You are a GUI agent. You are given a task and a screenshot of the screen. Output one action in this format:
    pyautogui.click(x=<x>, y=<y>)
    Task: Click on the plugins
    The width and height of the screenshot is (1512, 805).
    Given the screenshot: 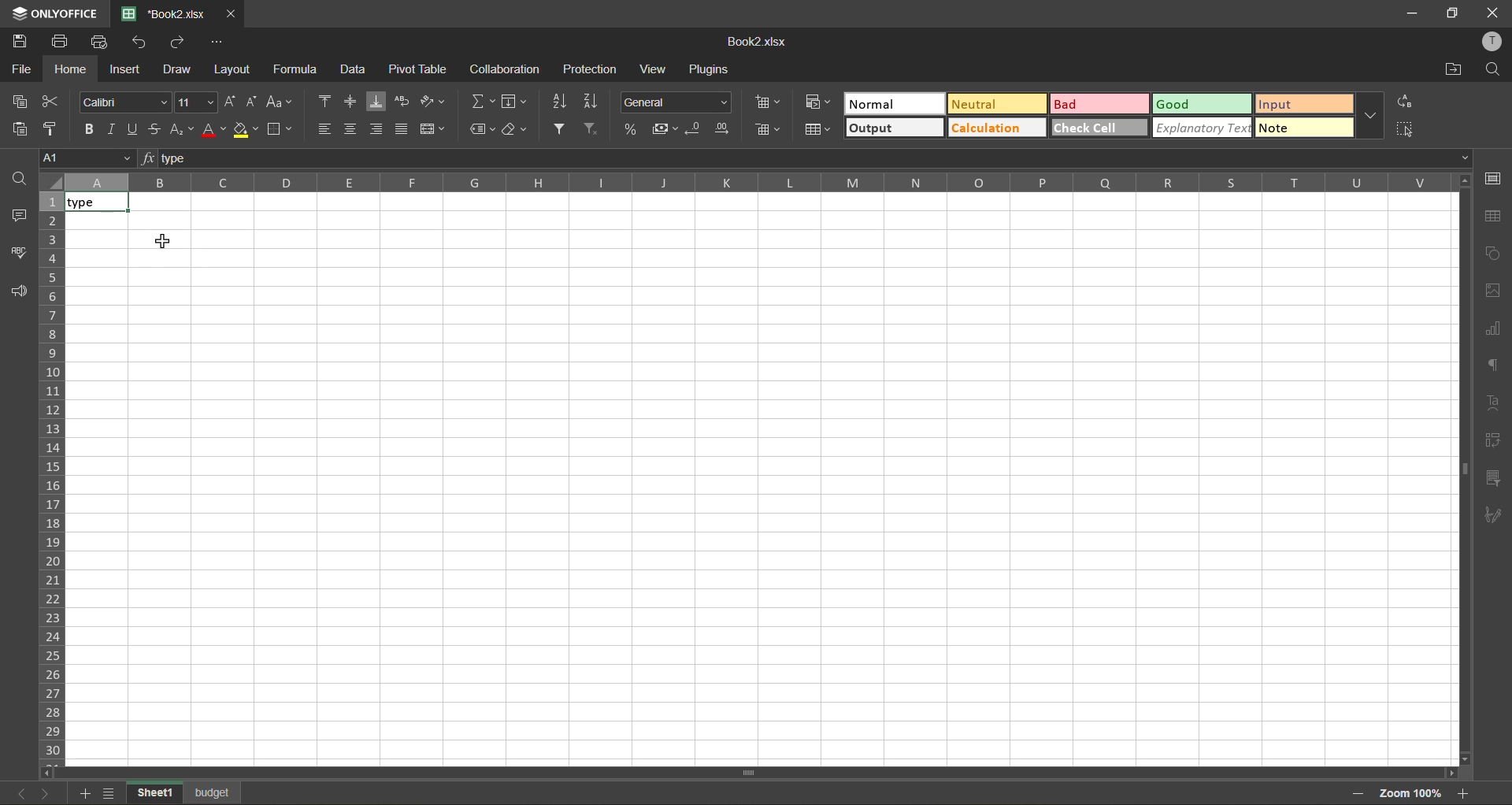 What is the action you would take?
    pyautogui.click(x=712, y=69)
    